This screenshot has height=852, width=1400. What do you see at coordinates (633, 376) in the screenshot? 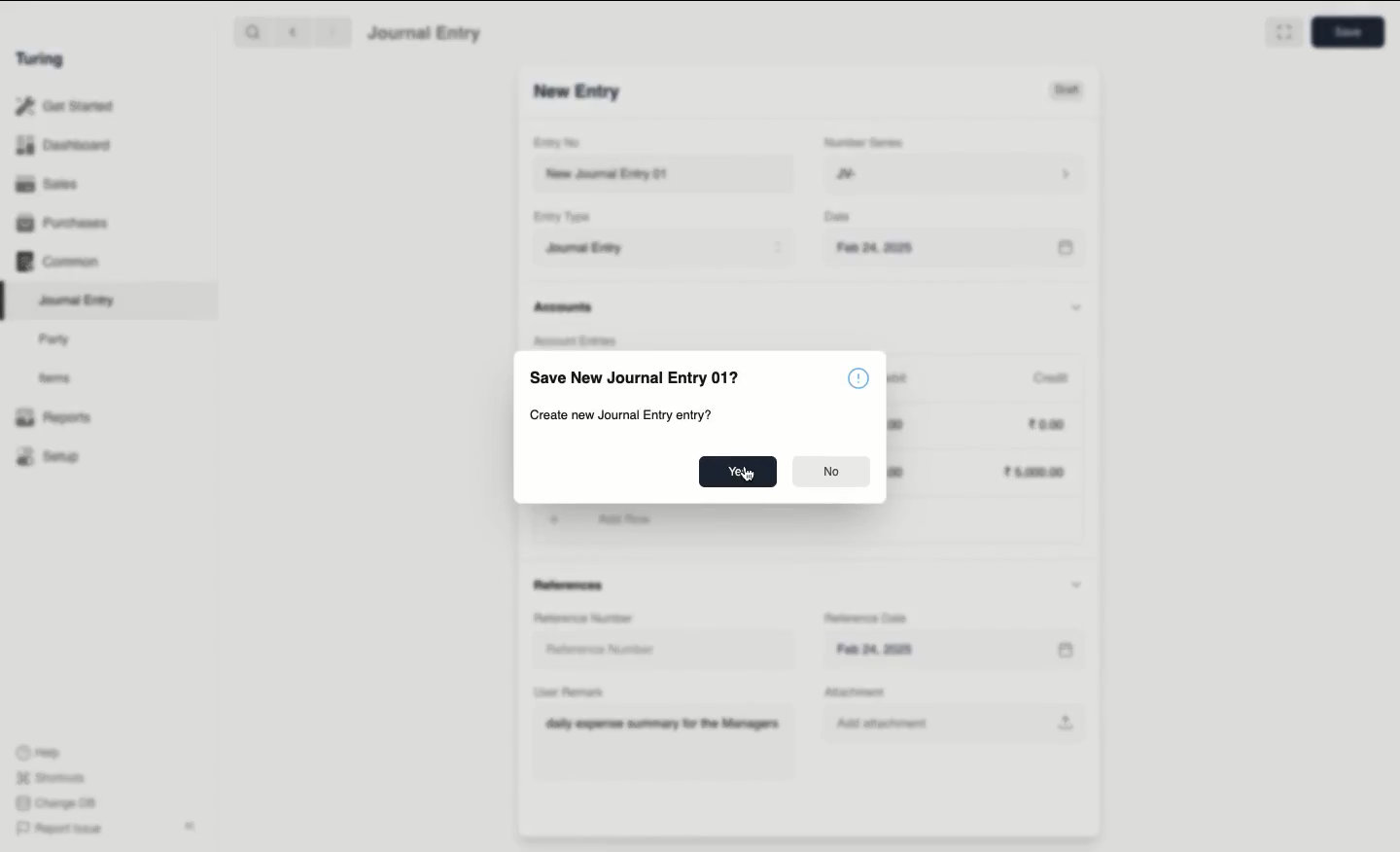
I see `Save New Journal Entry 01?` at bounding box center [633, 376].